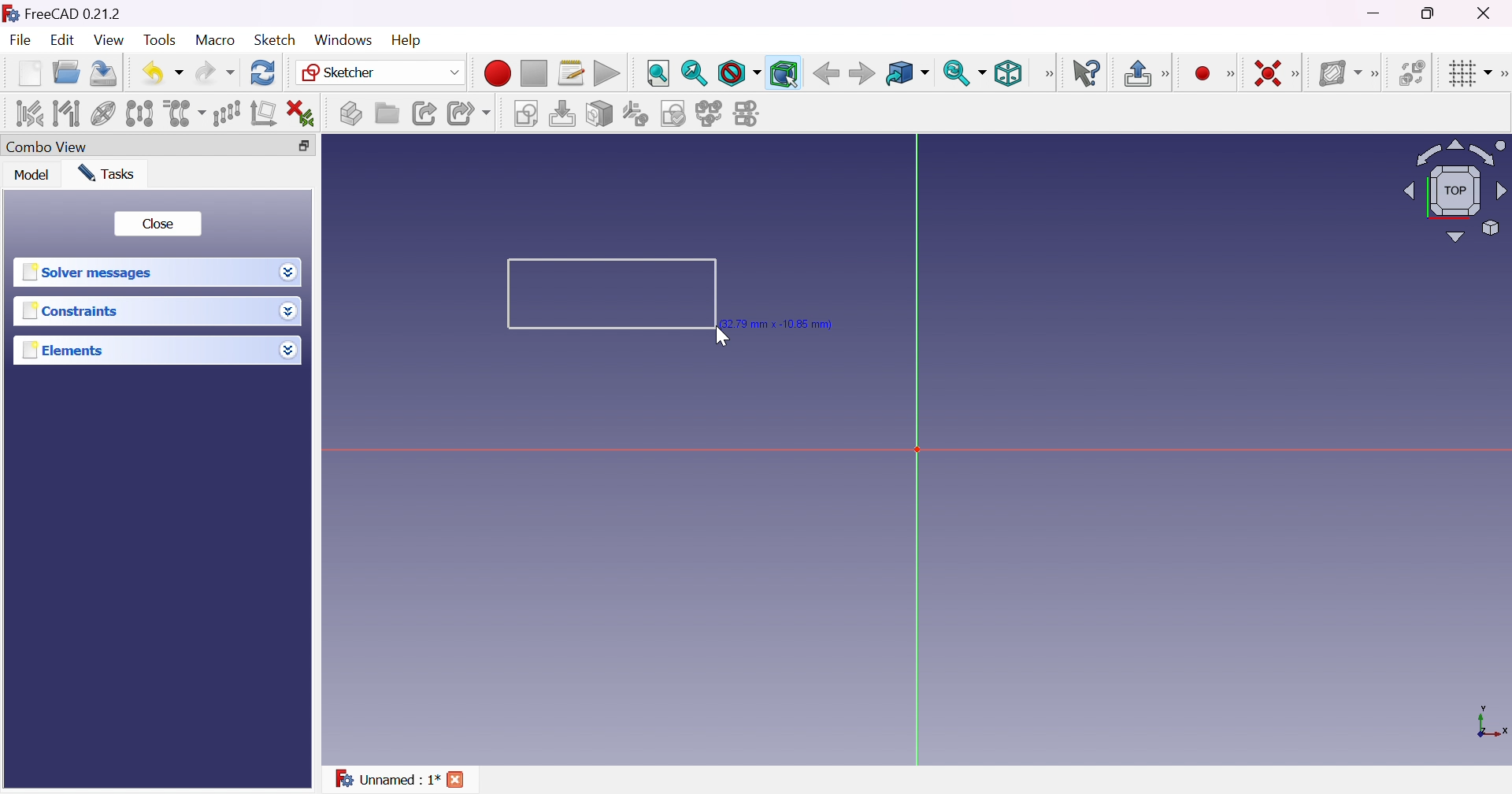  Describe the element at coordinates (1374, 13) in the screenshot. I see `Minimize` at that location.